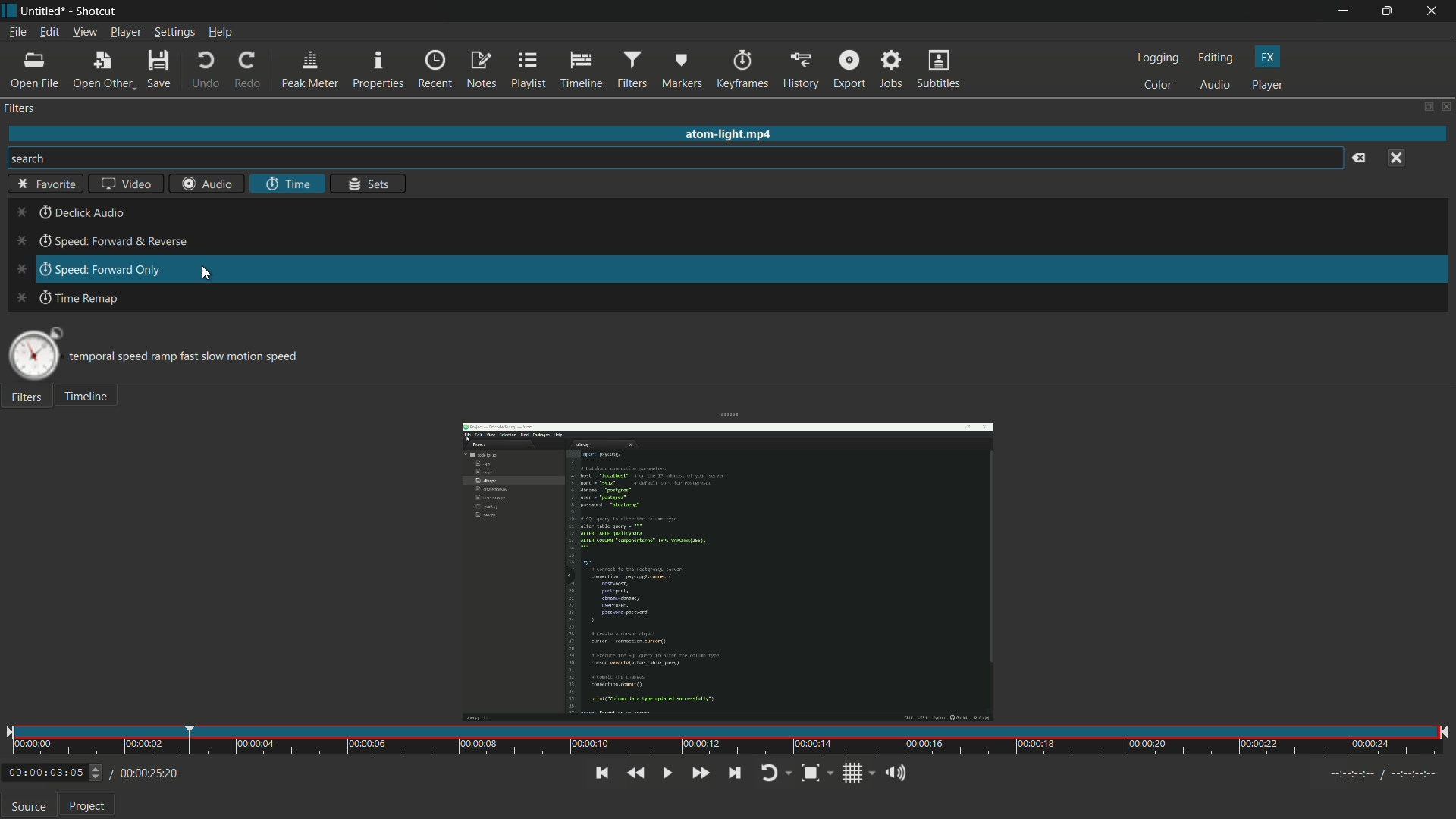 The image size is (1456, 819). Describe the element at coordinates (636, 773) in the screenshot. I see `quickly play backwards` at that location.